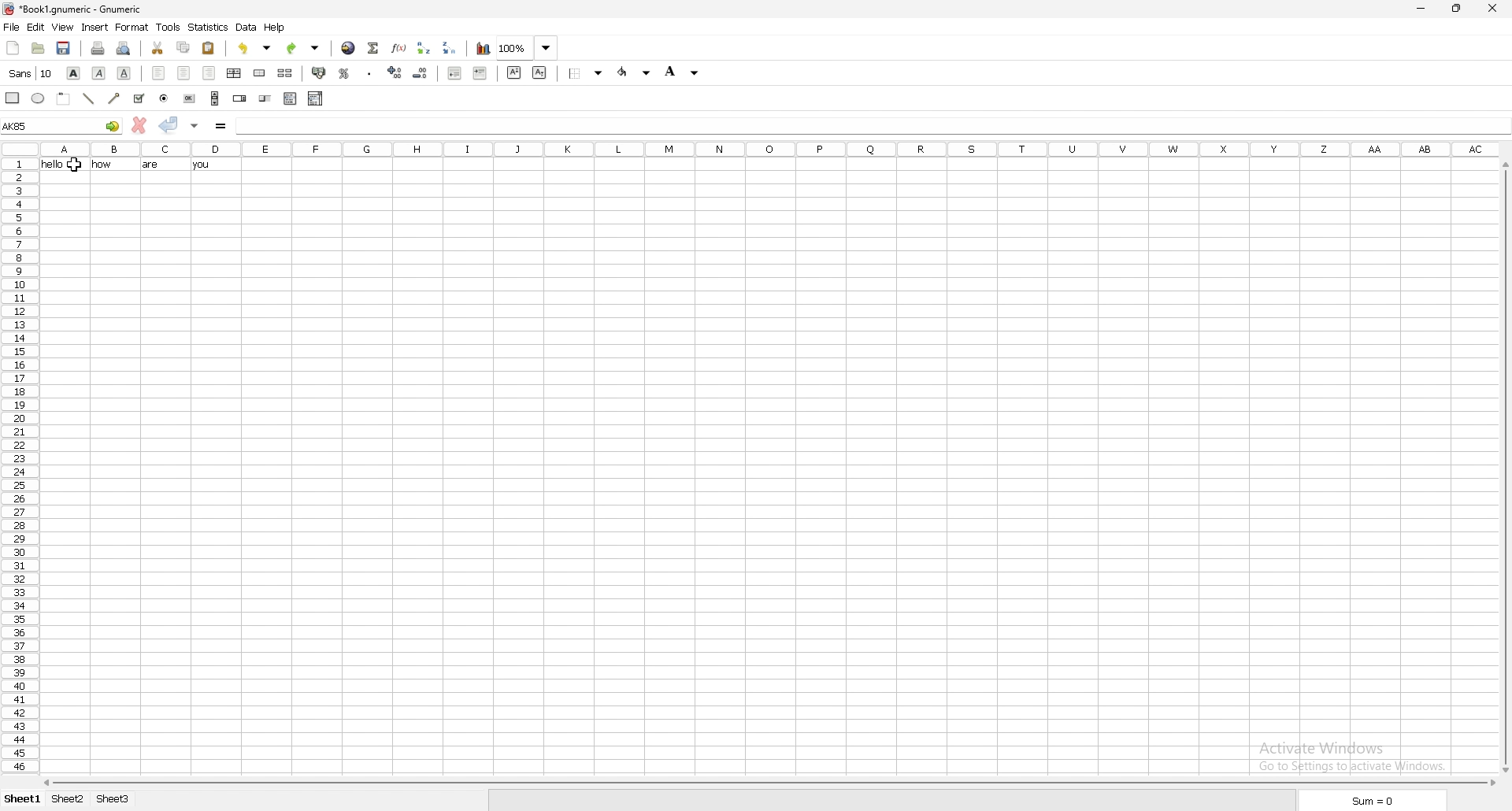 This screenshot has width=1512, height=811. What do you see at coordinates (100, 165) in the screenshot?
I see `how` at bounding box center [100, 165].